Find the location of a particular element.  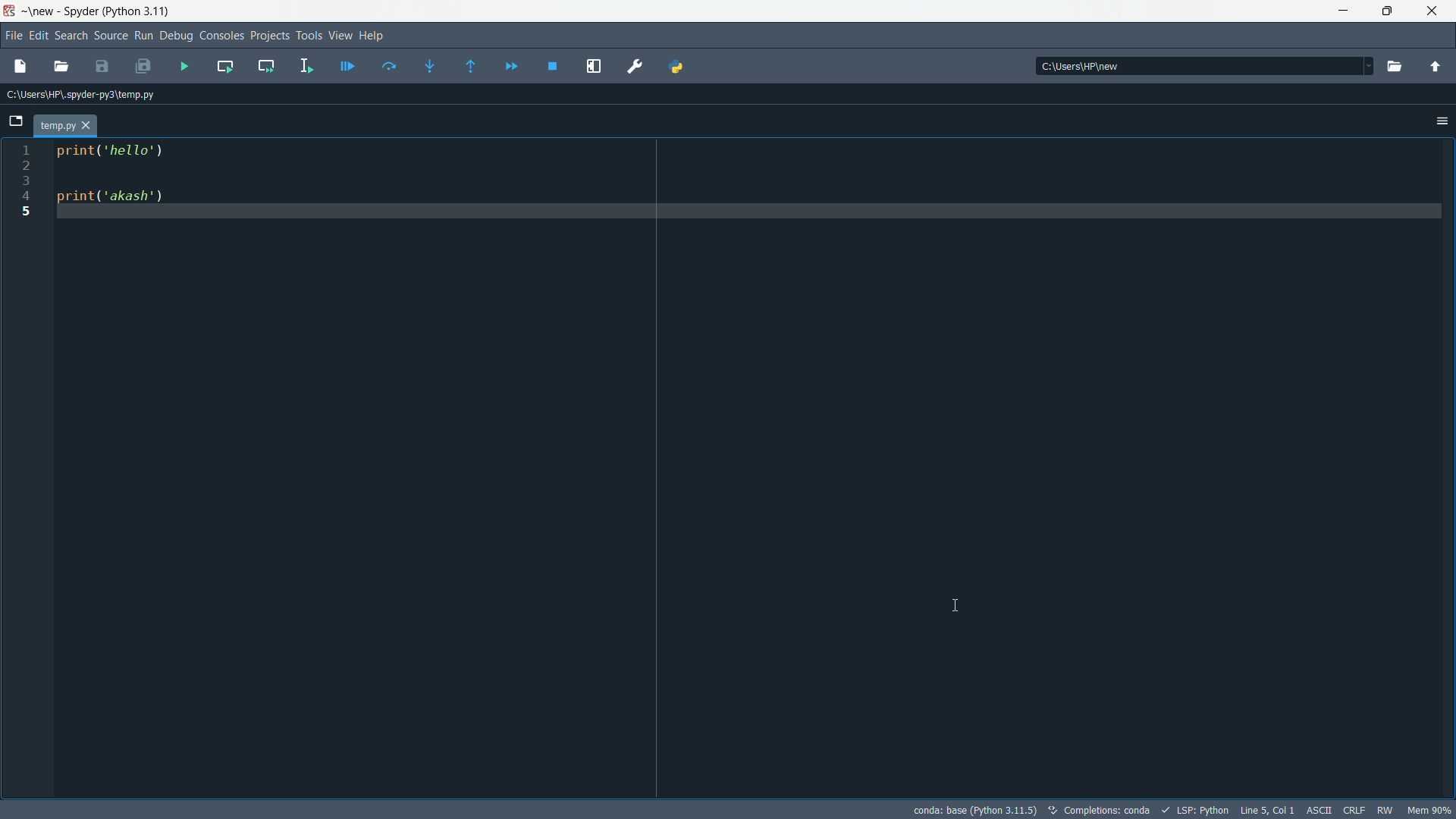

code editor is located at coordinates (111, 177).